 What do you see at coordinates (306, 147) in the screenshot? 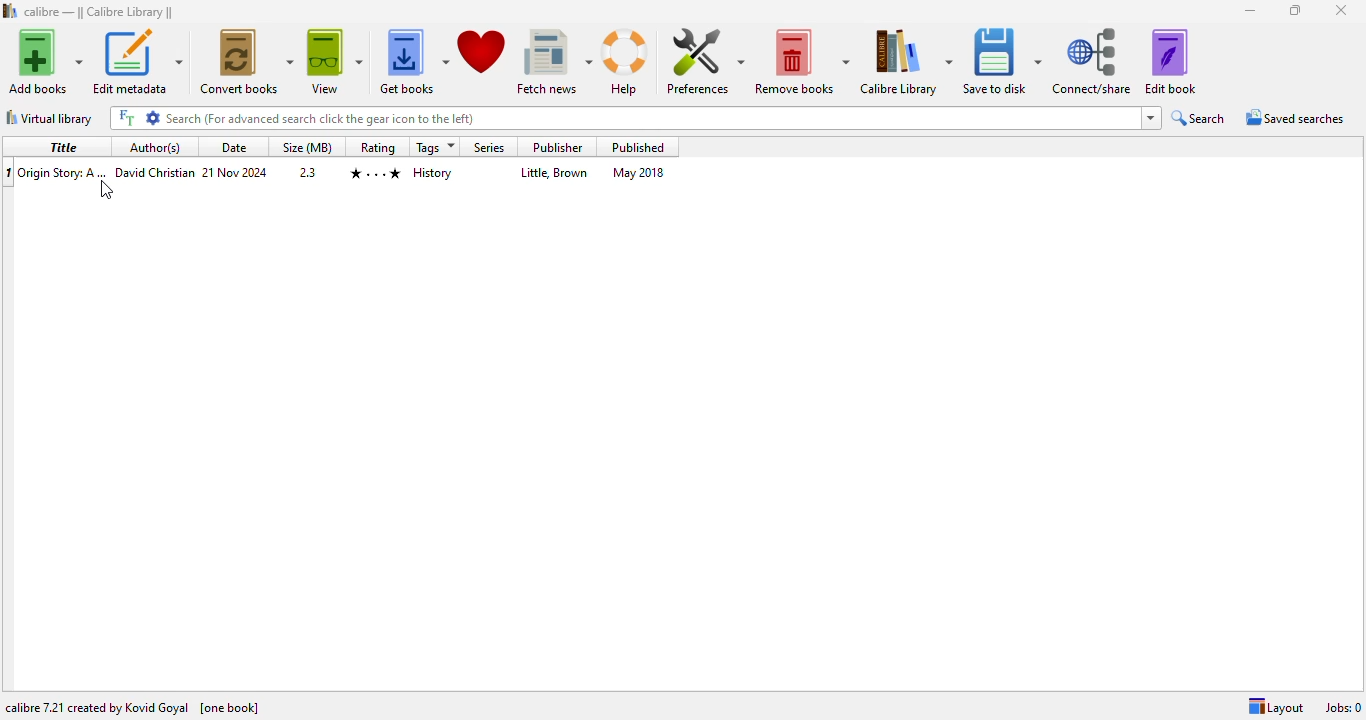
I see `size (MB)` at bounding box center [306, 147].